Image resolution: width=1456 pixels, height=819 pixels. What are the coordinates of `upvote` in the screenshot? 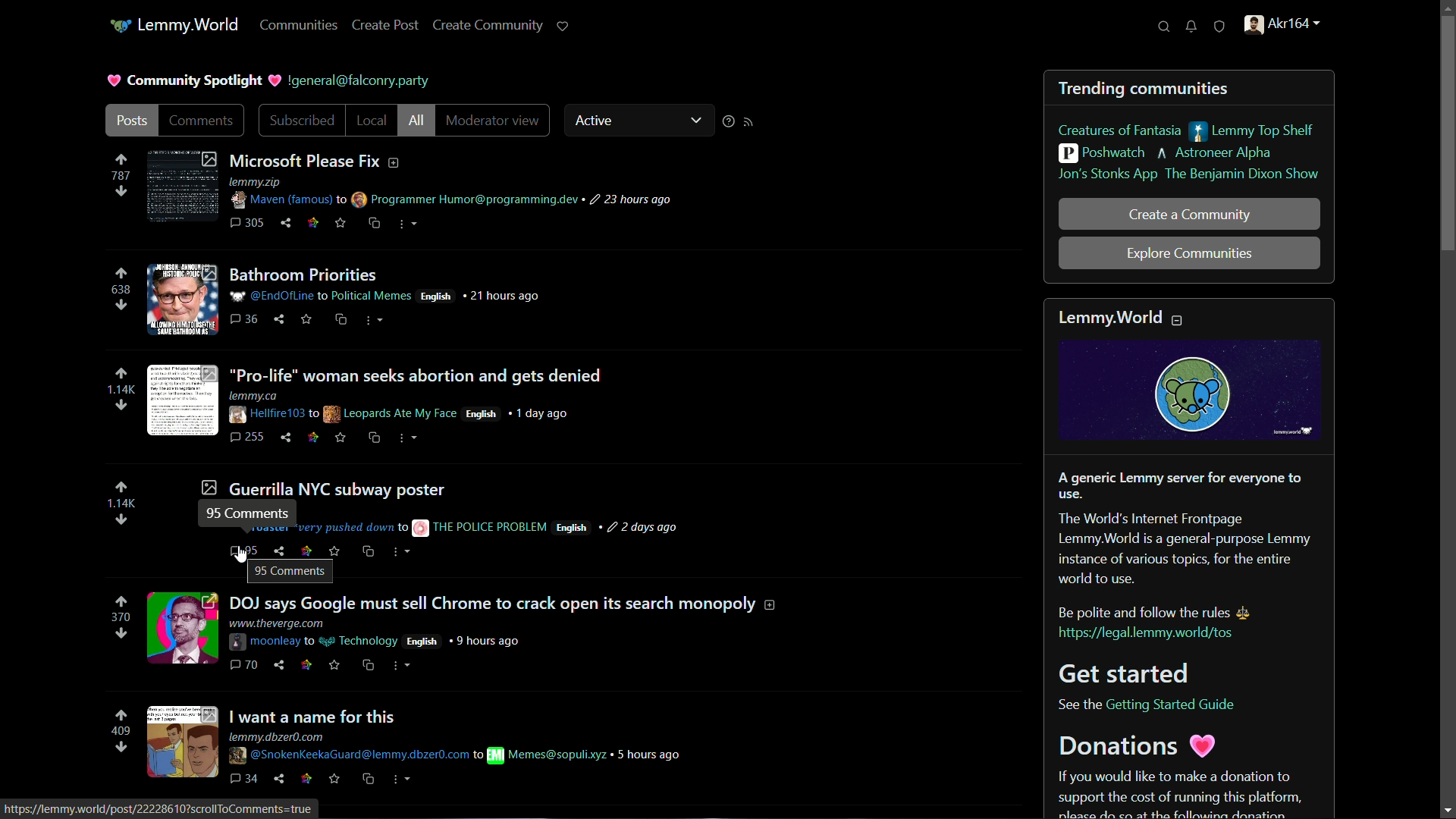 It's located at (121, 373).